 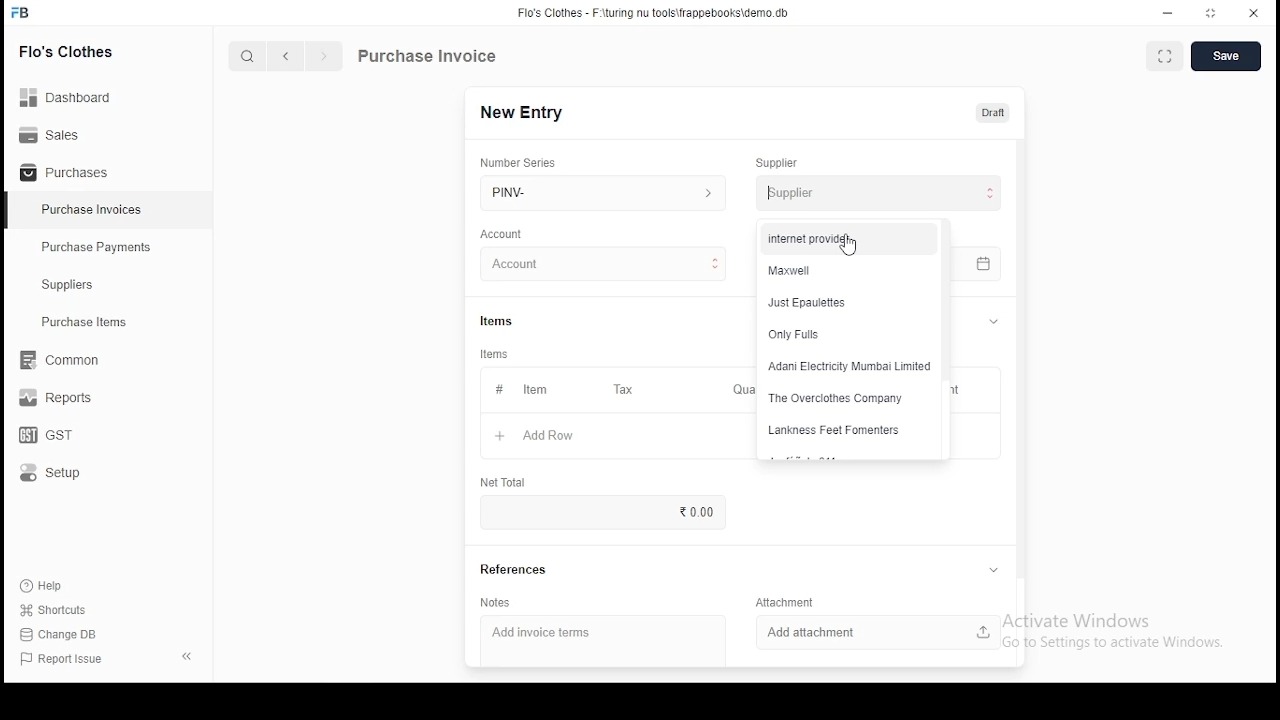 What do you see at coordinates (64, 660) in the screenshot?
I see `report issue` at bounding box center [64, 660].